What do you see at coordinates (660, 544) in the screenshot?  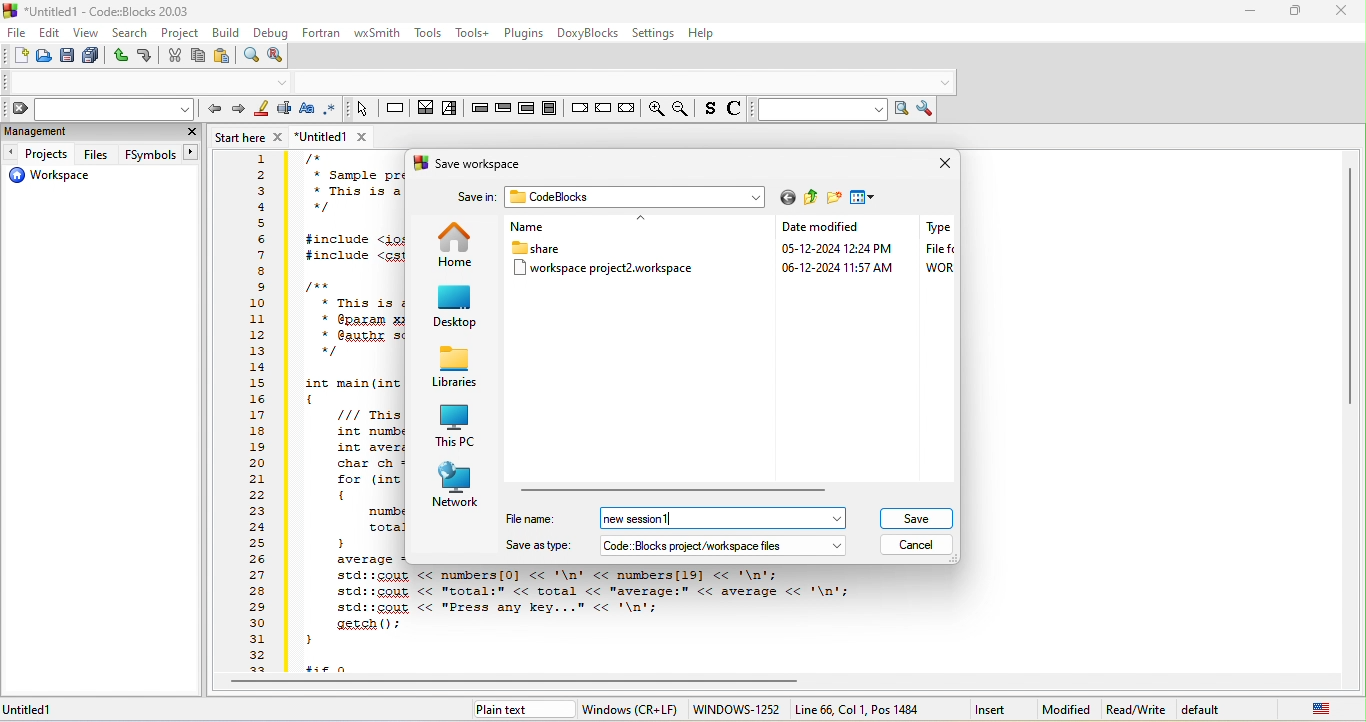 I see `save as type` at bounding box center [660, 544].